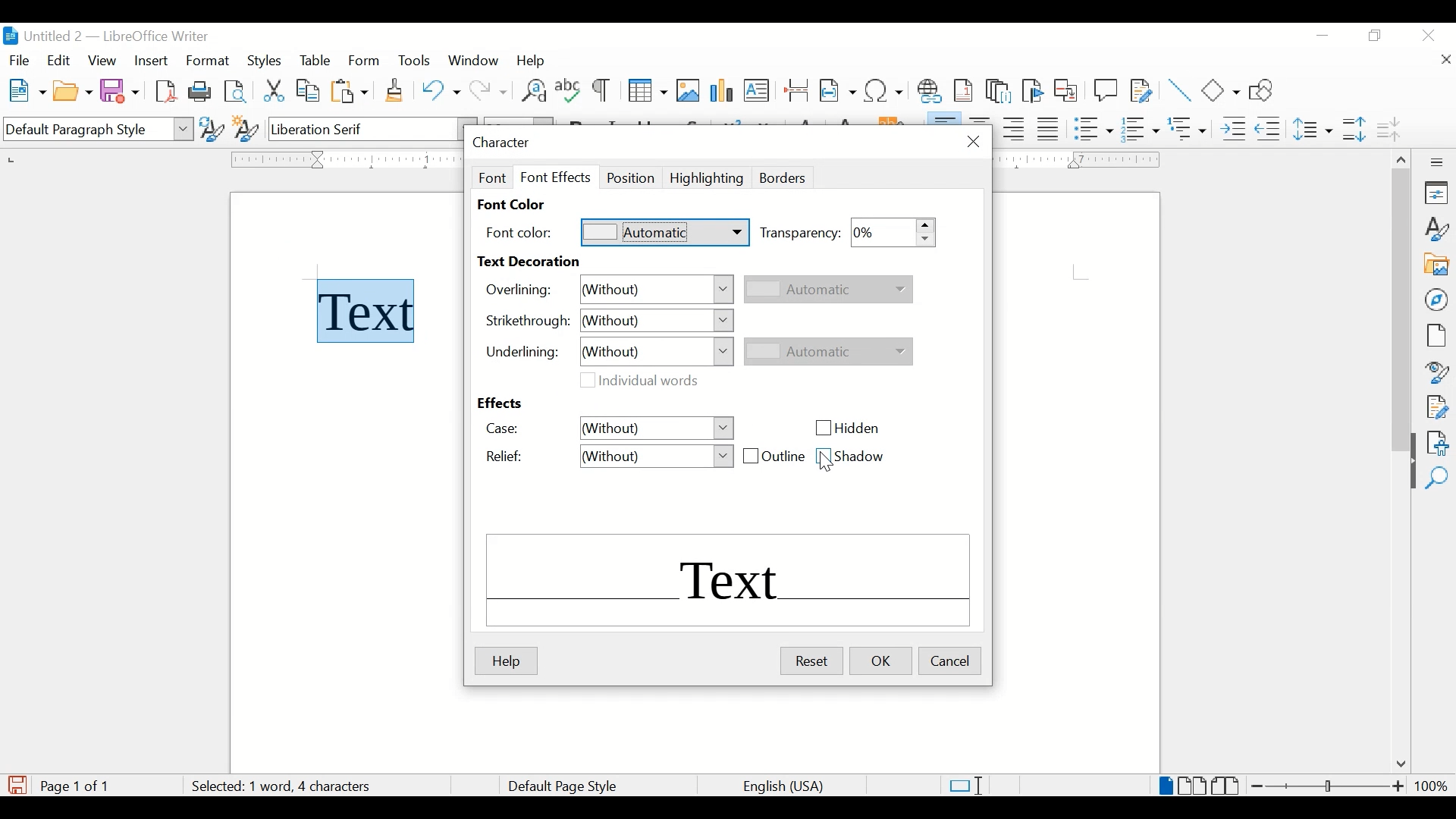 This screenshot has width=1456, height=819. Describe the element at coordinates (657, 351) in the screenshot. I see `without dropdown menu` at that location.